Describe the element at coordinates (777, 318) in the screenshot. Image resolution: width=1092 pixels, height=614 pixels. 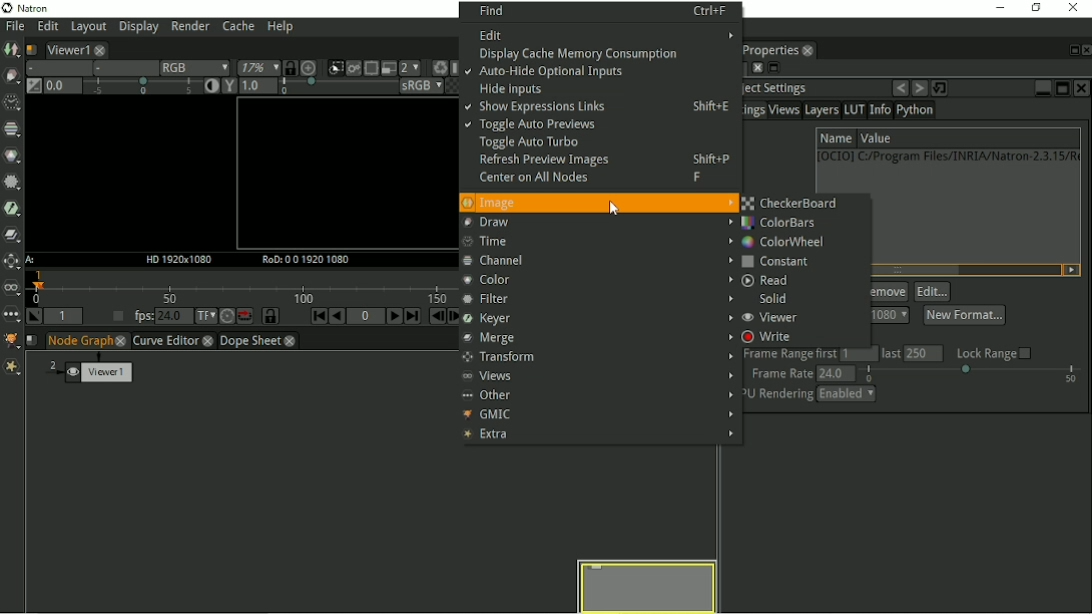
I see `Viewer` at that location.